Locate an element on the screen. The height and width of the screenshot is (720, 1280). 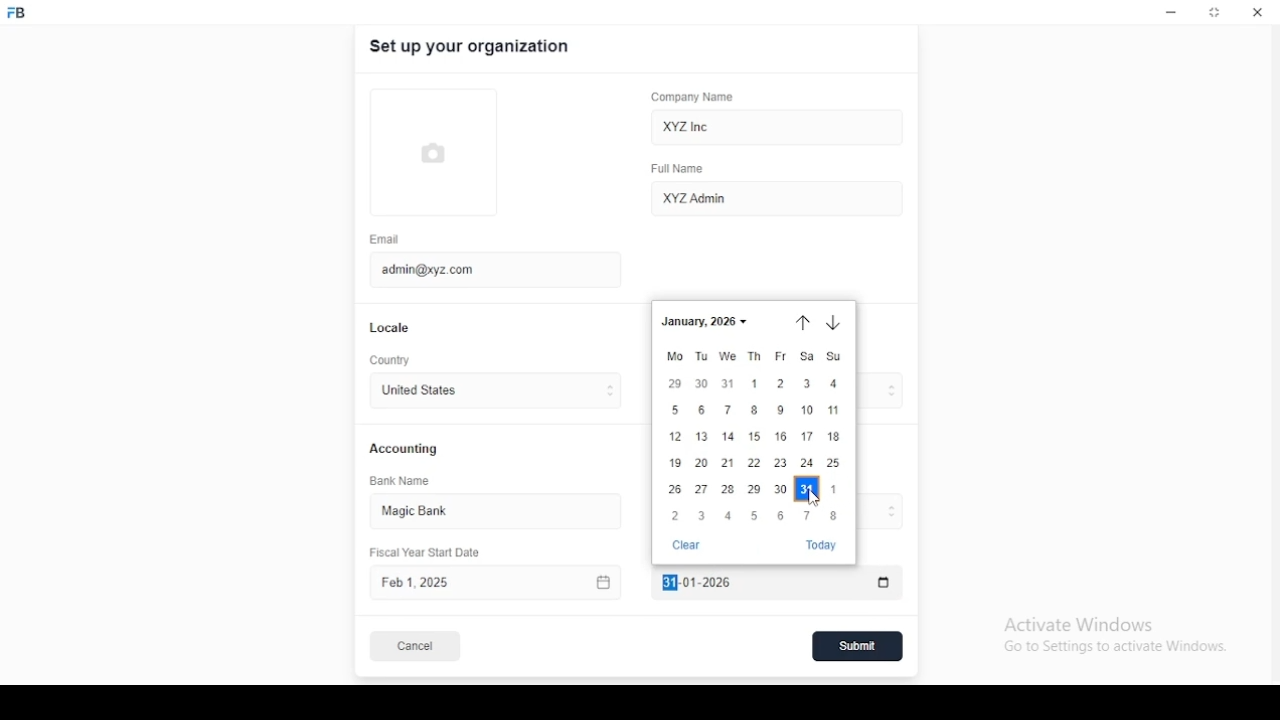
7 is located at coordinates (806, 516).